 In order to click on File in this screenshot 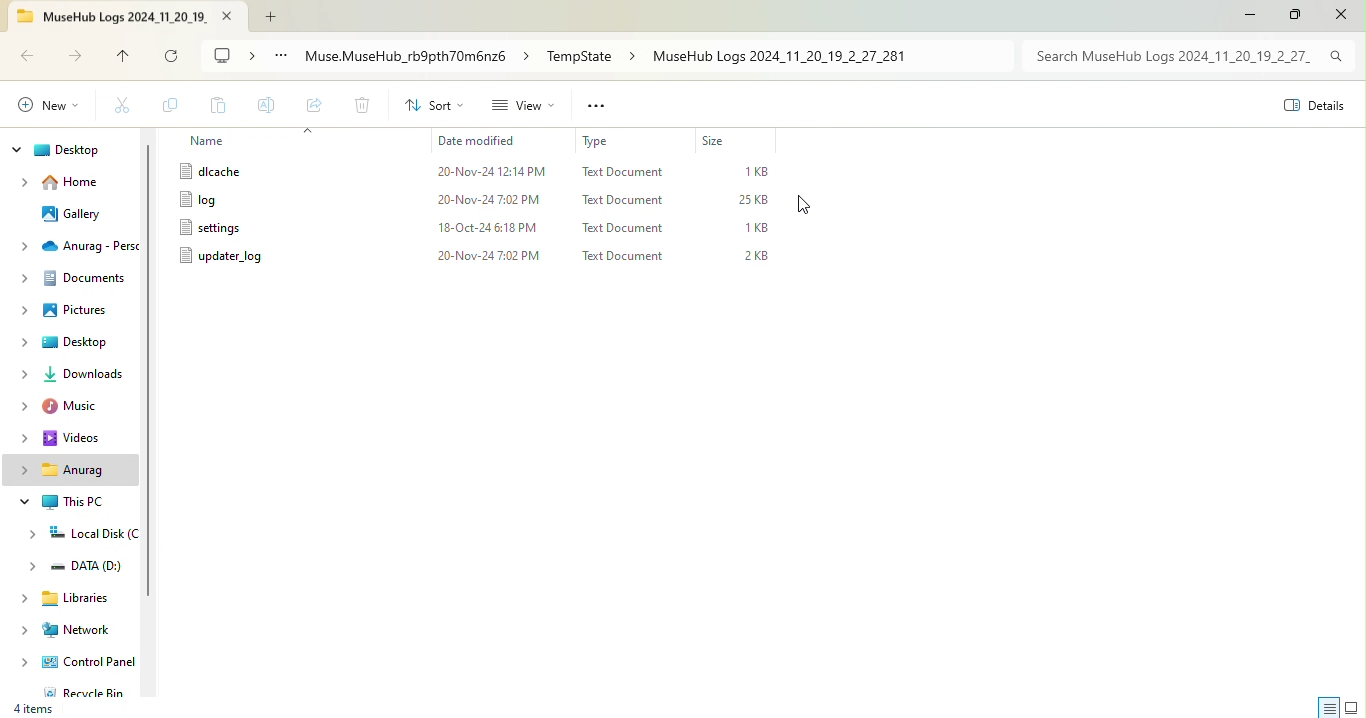, I will do `click(483, 261)`.